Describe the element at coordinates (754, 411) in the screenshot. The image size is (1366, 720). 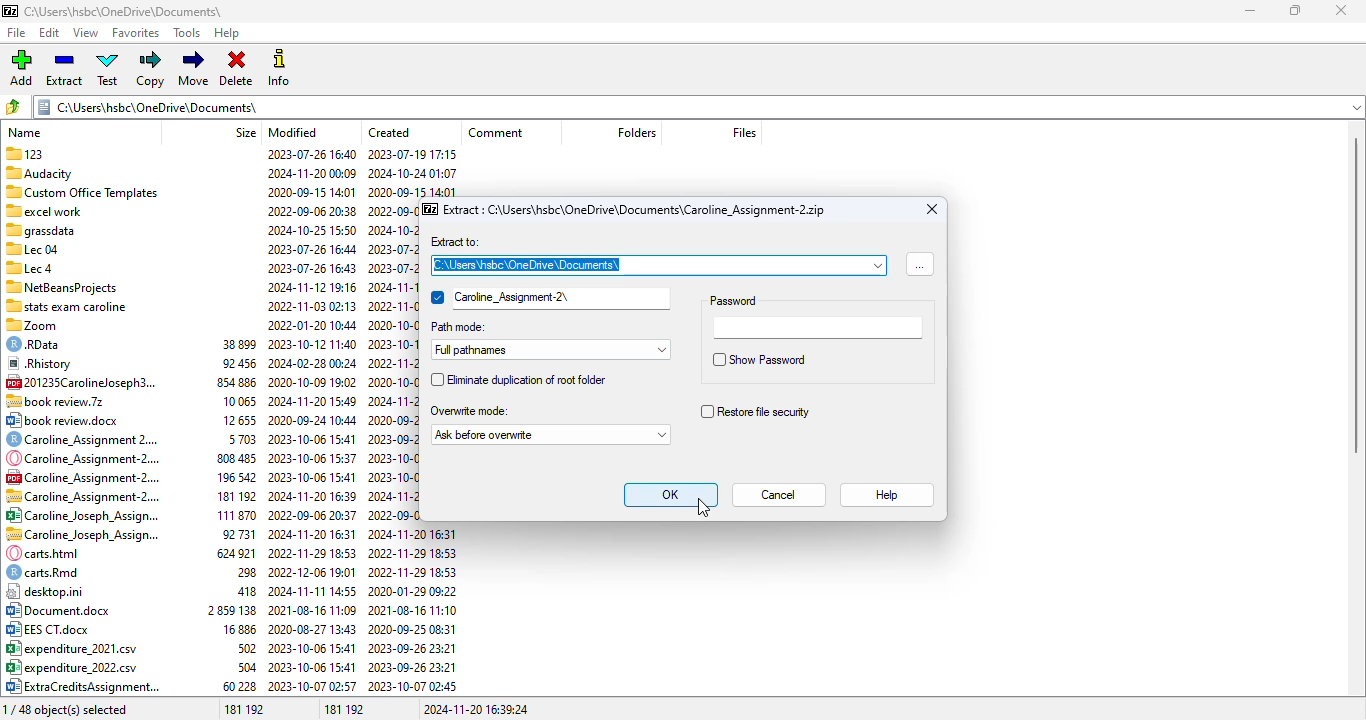
I see `restore file security` at that location.